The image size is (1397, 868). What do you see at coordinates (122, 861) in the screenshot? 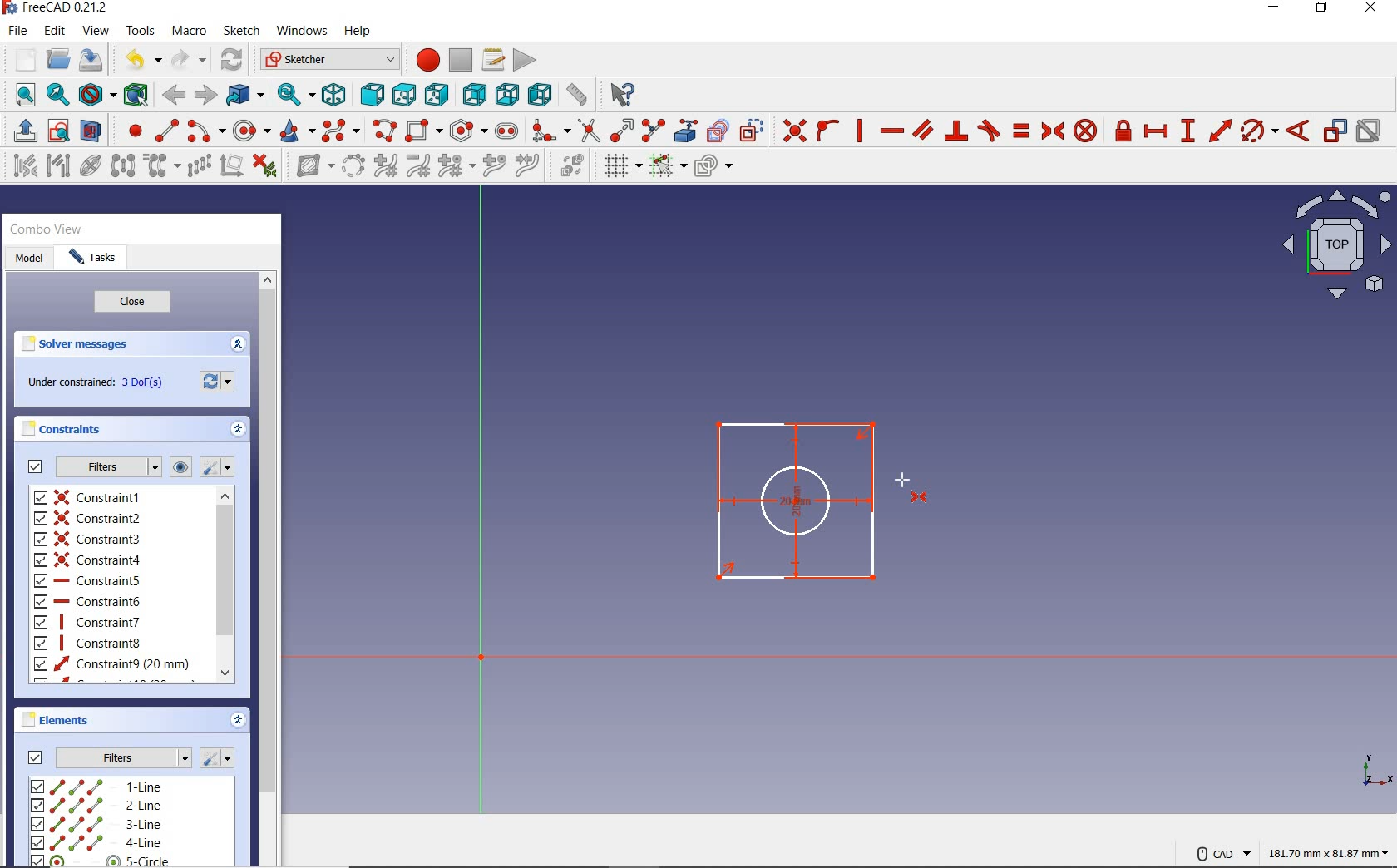
I see `5-circle` at bounding box center [122, 861].